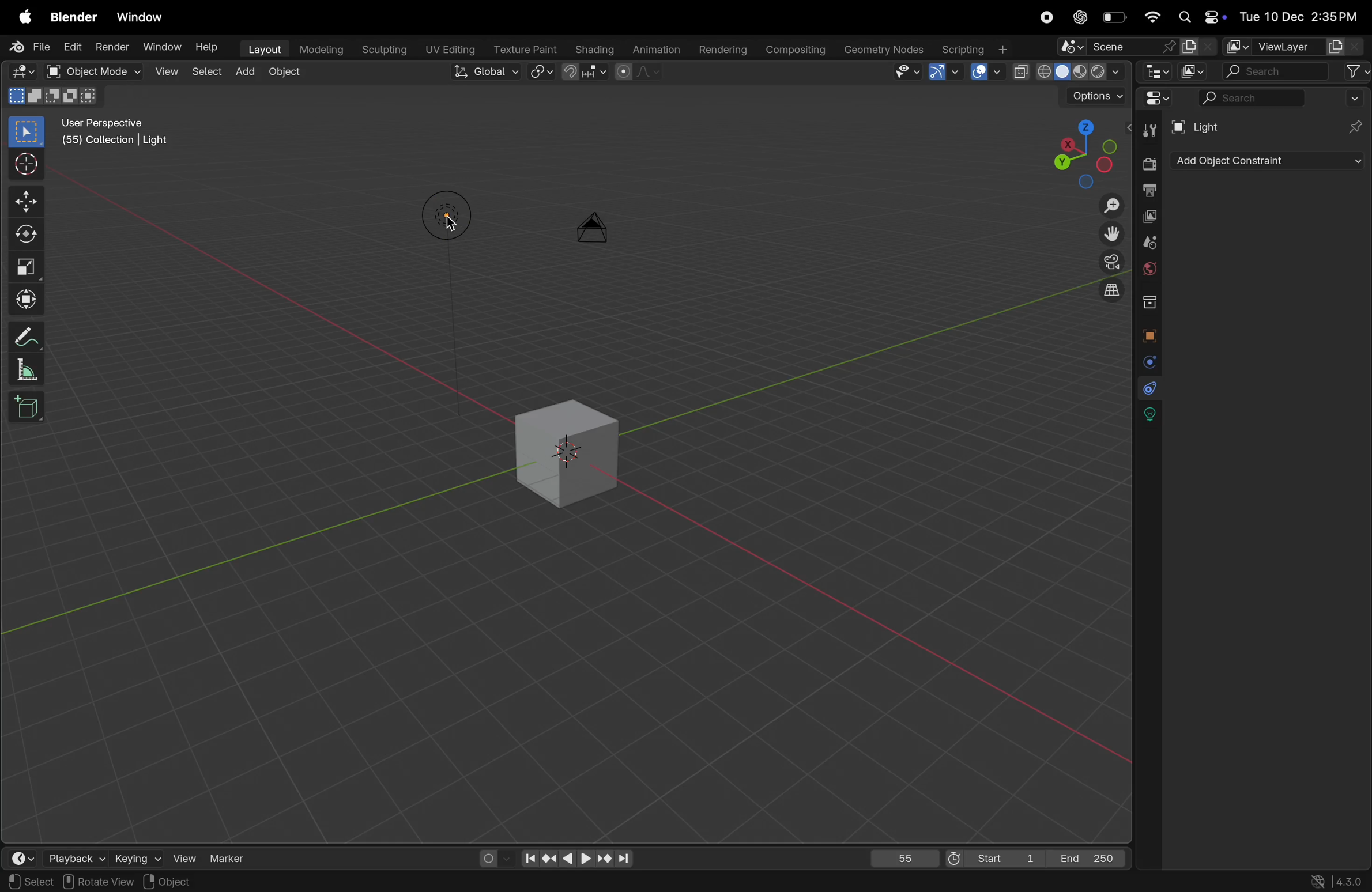 This screenshot has height=892, width=1372. I want to click on Objects, so click(172, 881).